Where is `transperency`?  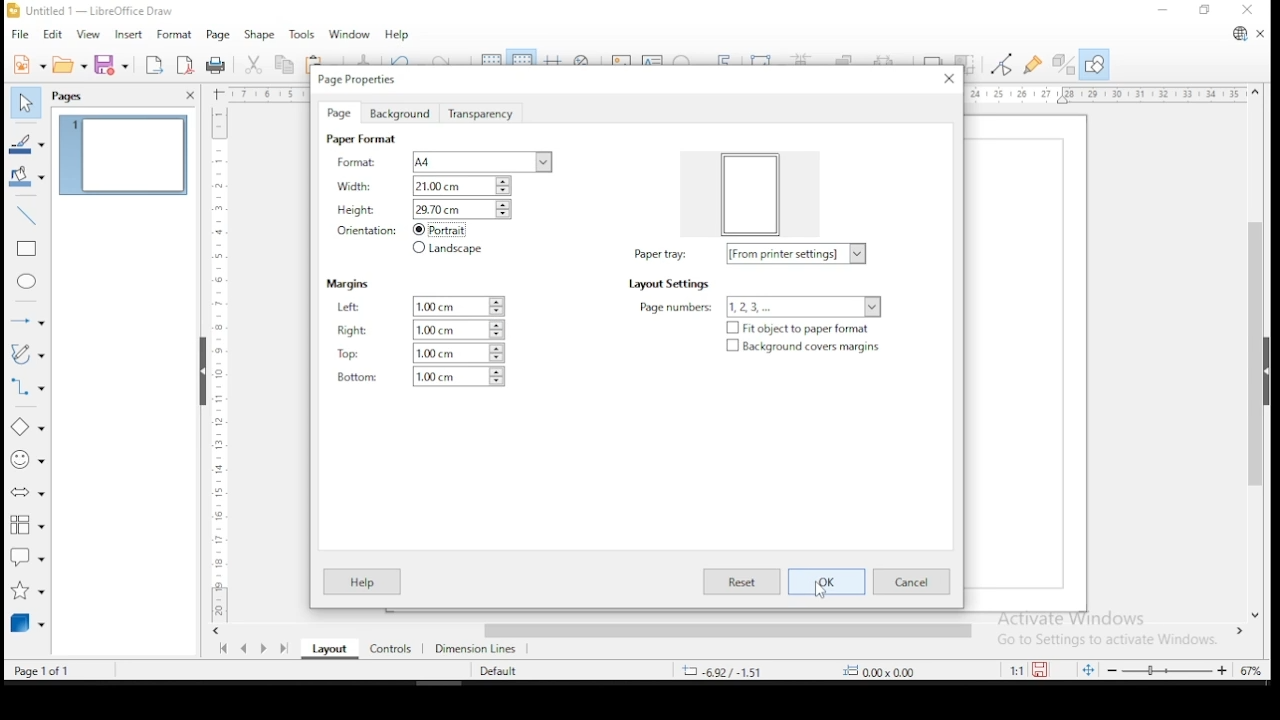
transperency is located at coordinates (480, 115).